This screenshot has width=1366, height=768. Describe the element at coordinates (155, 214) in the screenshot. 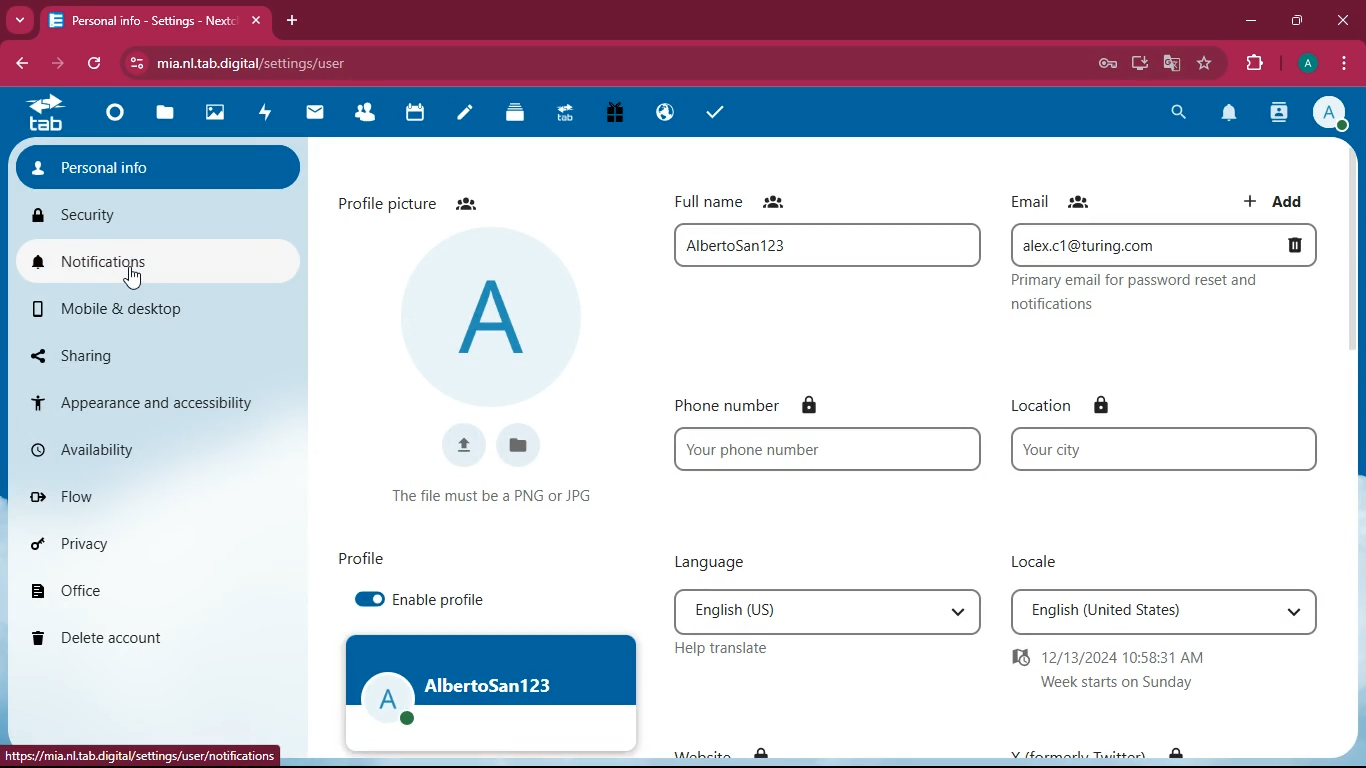

I see `security` at that location.